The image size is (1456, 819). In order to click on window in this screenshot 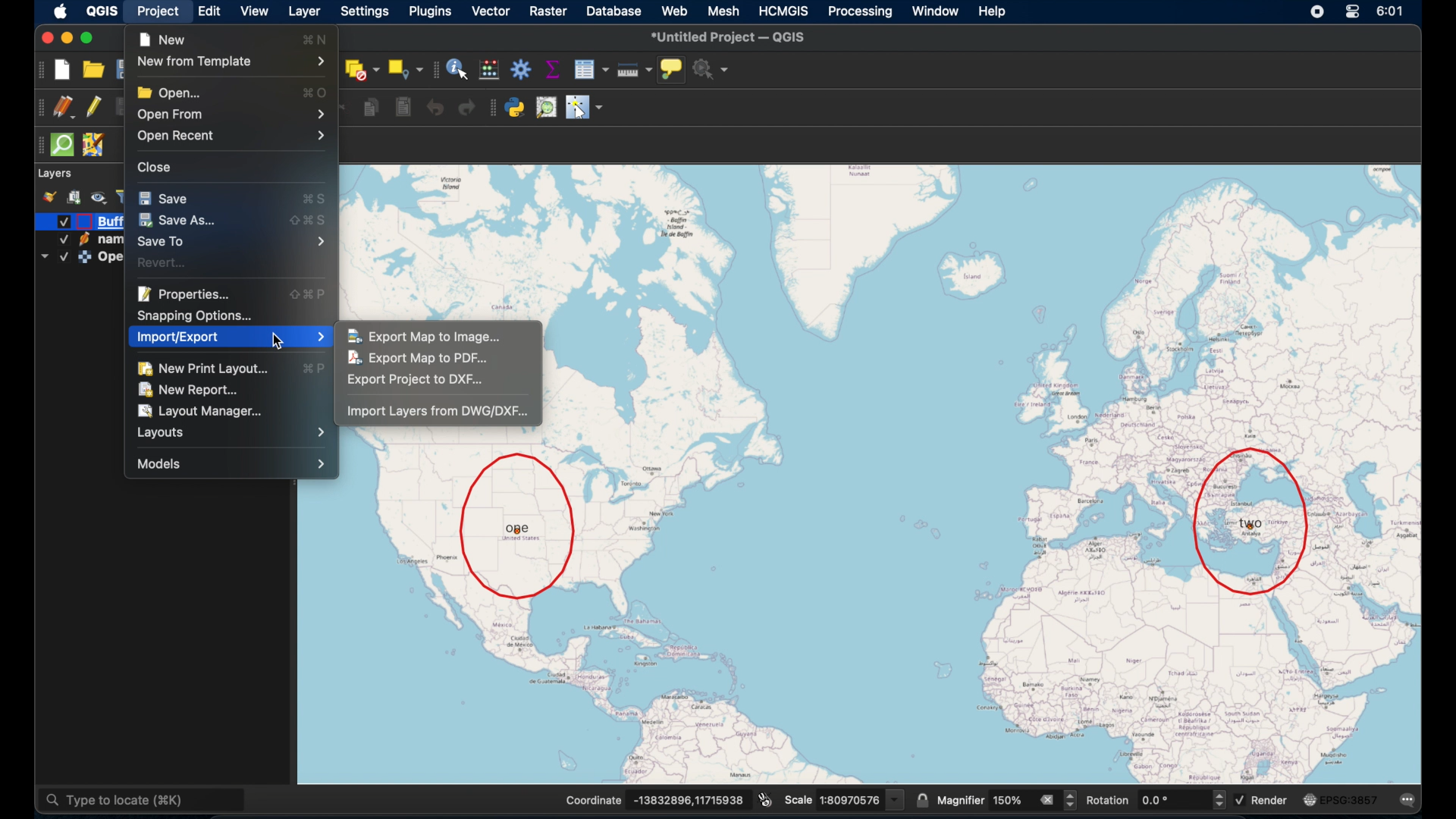, I will do `click(937, 12)`.